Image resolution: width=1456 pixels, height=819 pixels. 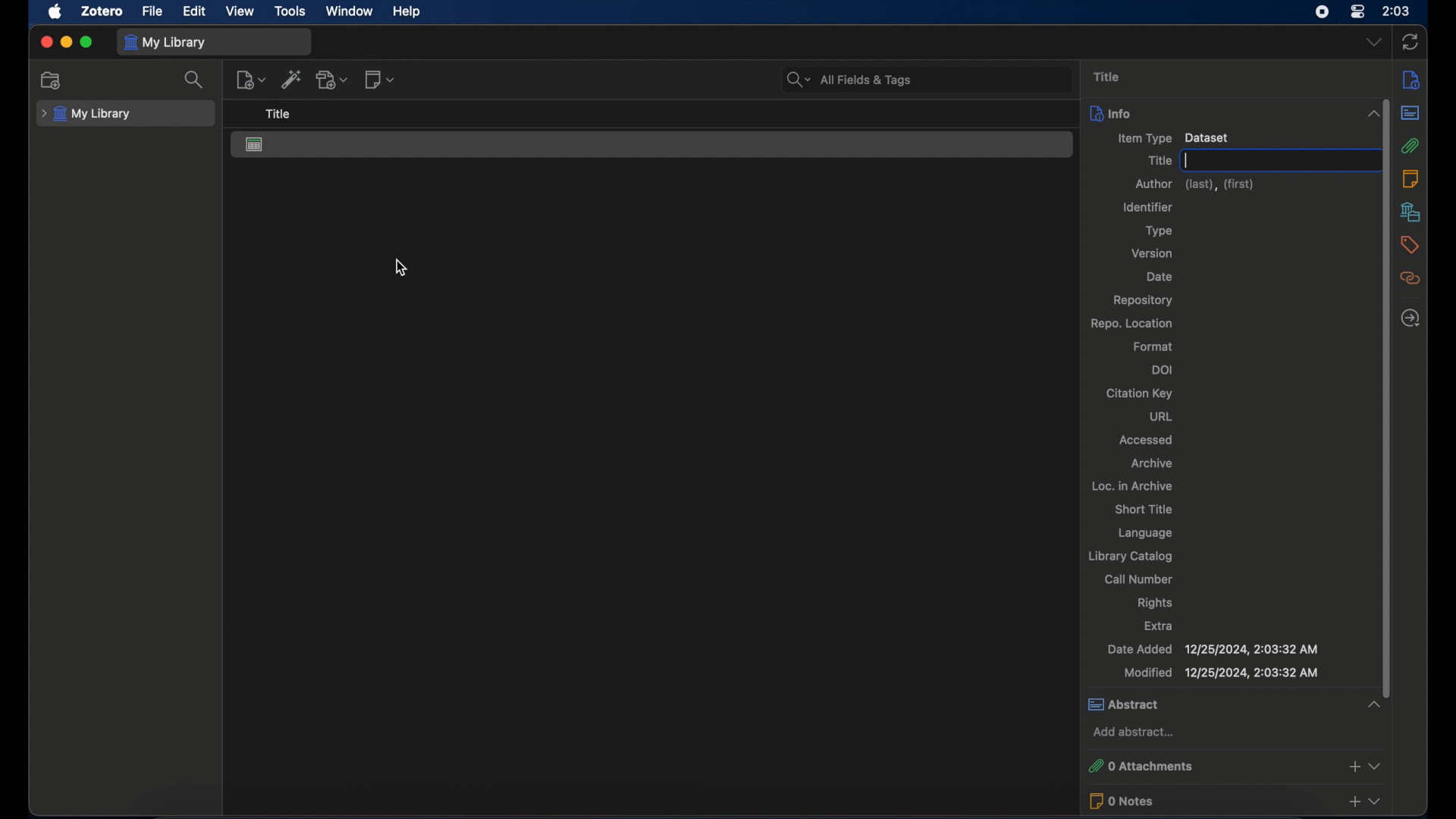 What do you see at coordinates (1159, 231) in the screenshot?
I see `type` at bounding box center [1159, 231].